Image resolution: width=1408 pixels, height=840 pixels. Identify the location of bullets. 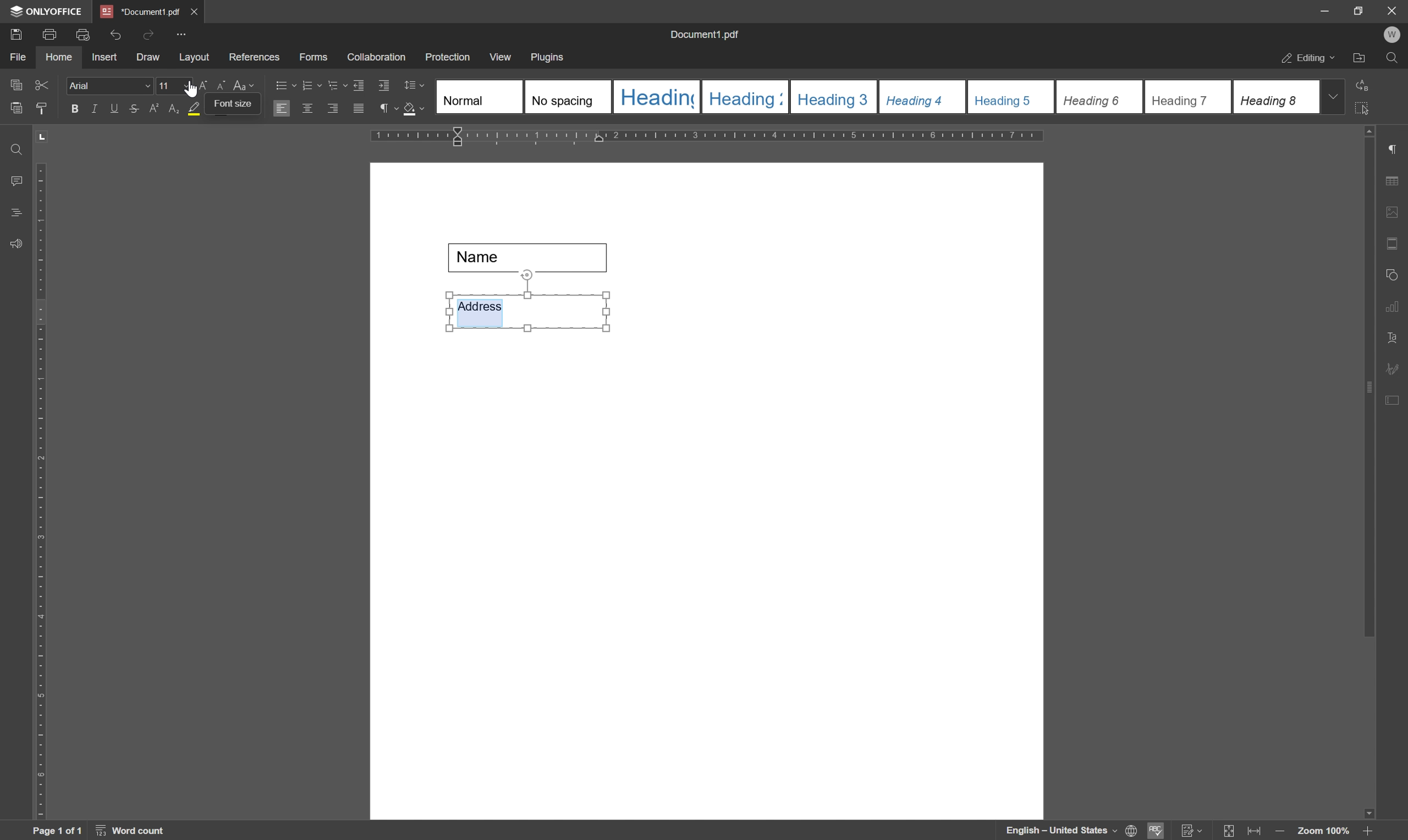
(284, 84).